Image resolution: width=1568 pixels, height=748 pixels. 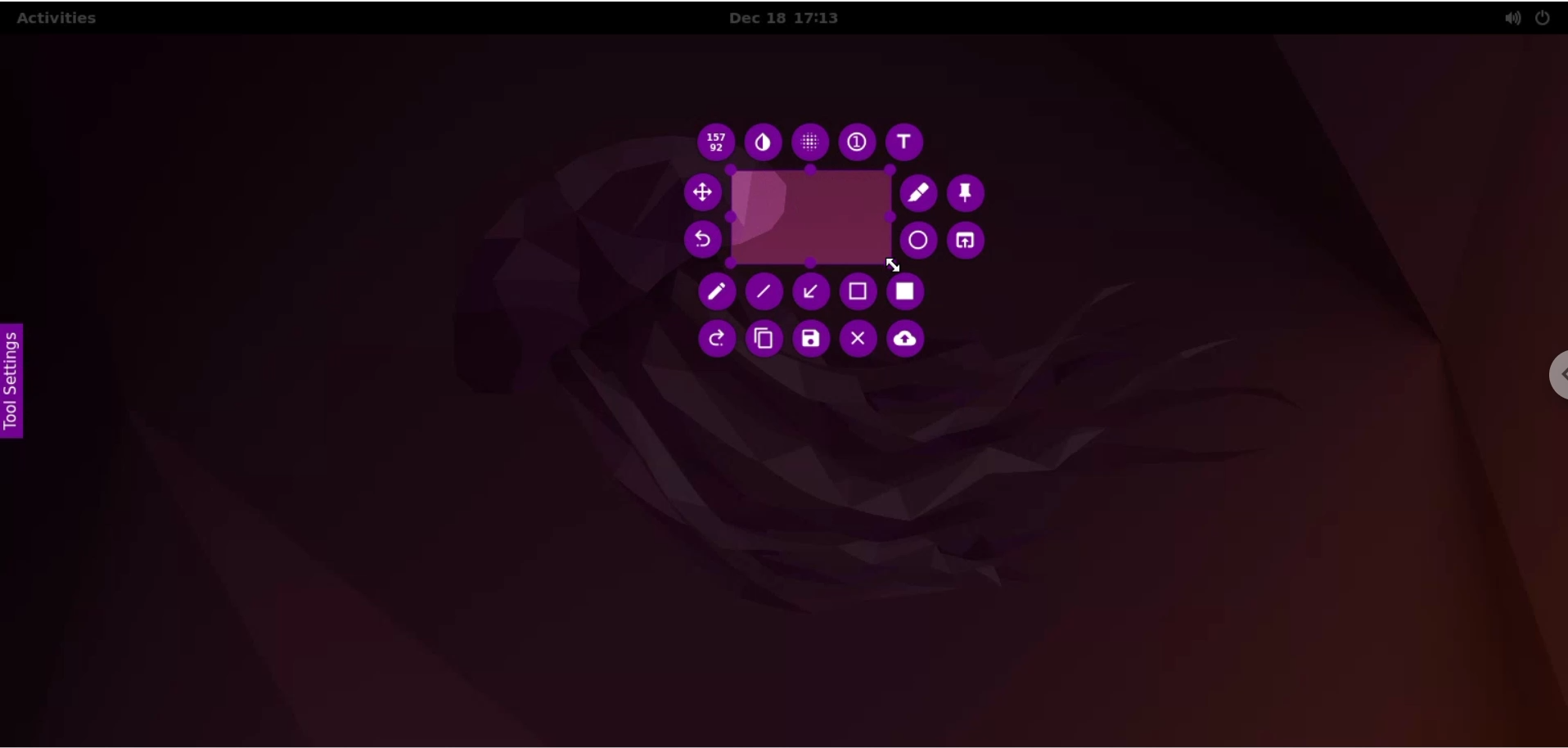 I want to click on line, so click(x=768, y=291).